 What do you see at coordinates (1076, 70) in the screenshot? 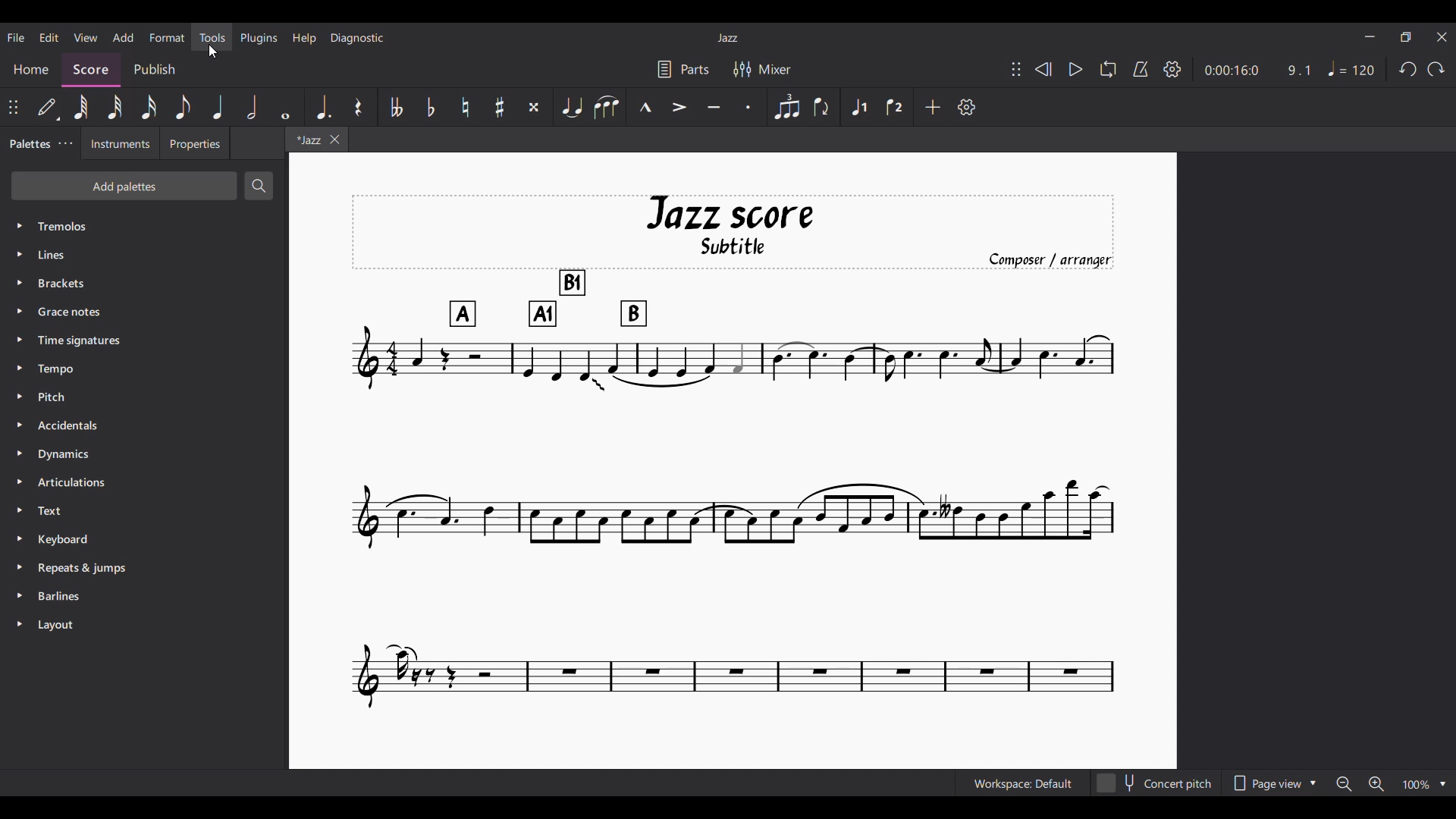
I see `Play` at bounding box center [1076, 70].